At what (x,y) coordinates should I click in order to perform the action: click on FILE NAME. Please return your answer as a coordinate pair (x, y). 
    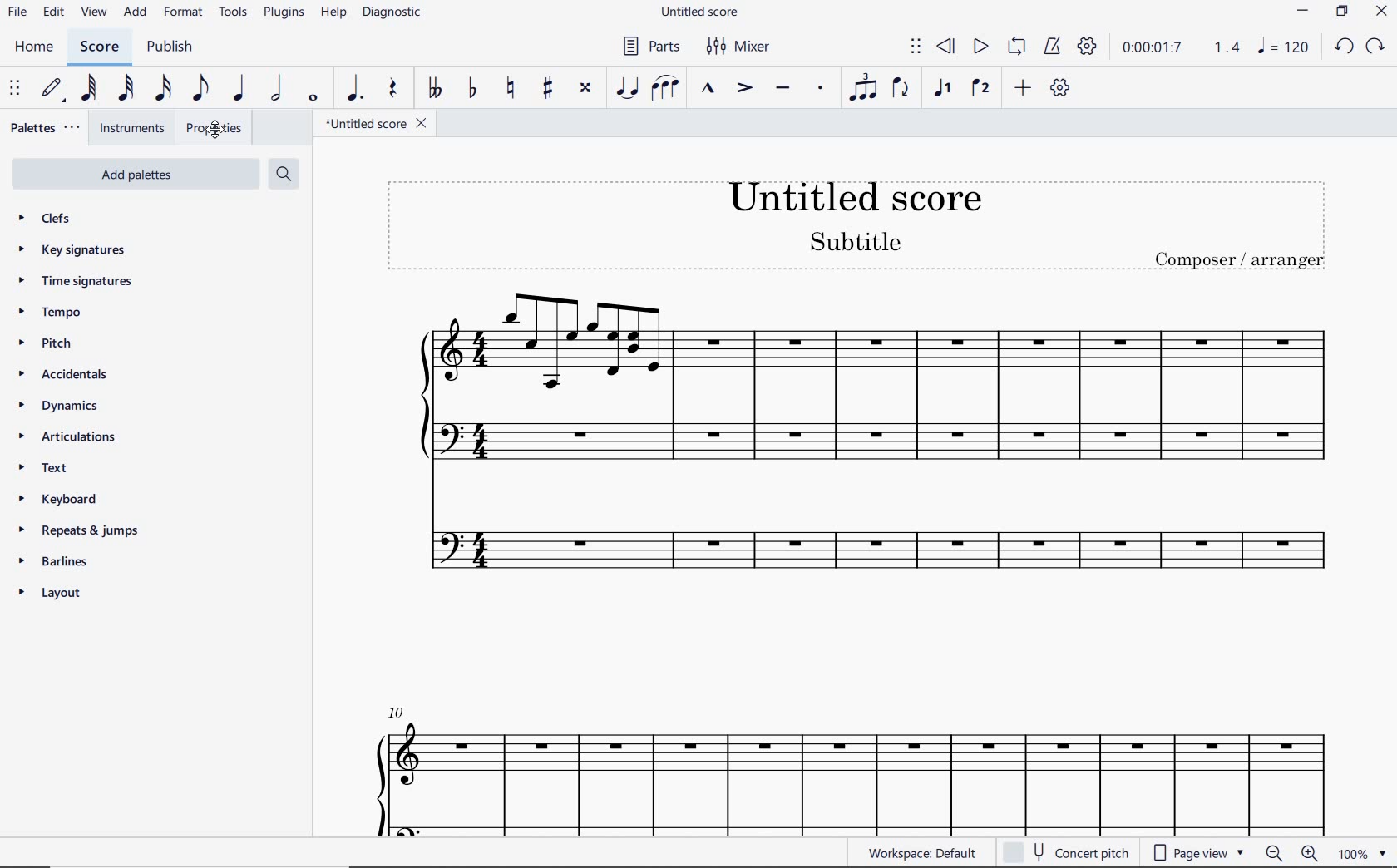
    Looking at the image, I should click on (697, 12).